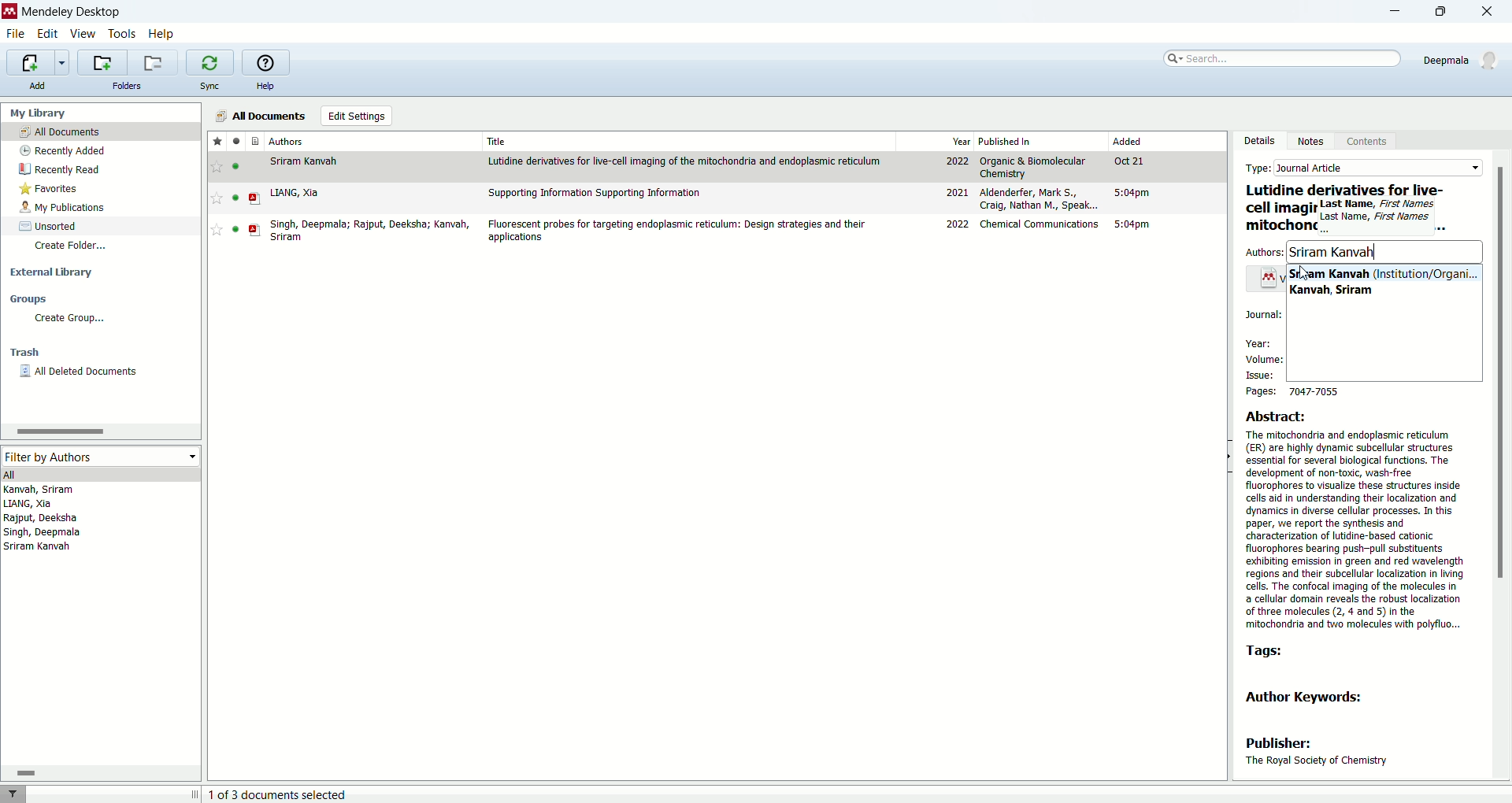  I want to click on help, so click(163, 34).